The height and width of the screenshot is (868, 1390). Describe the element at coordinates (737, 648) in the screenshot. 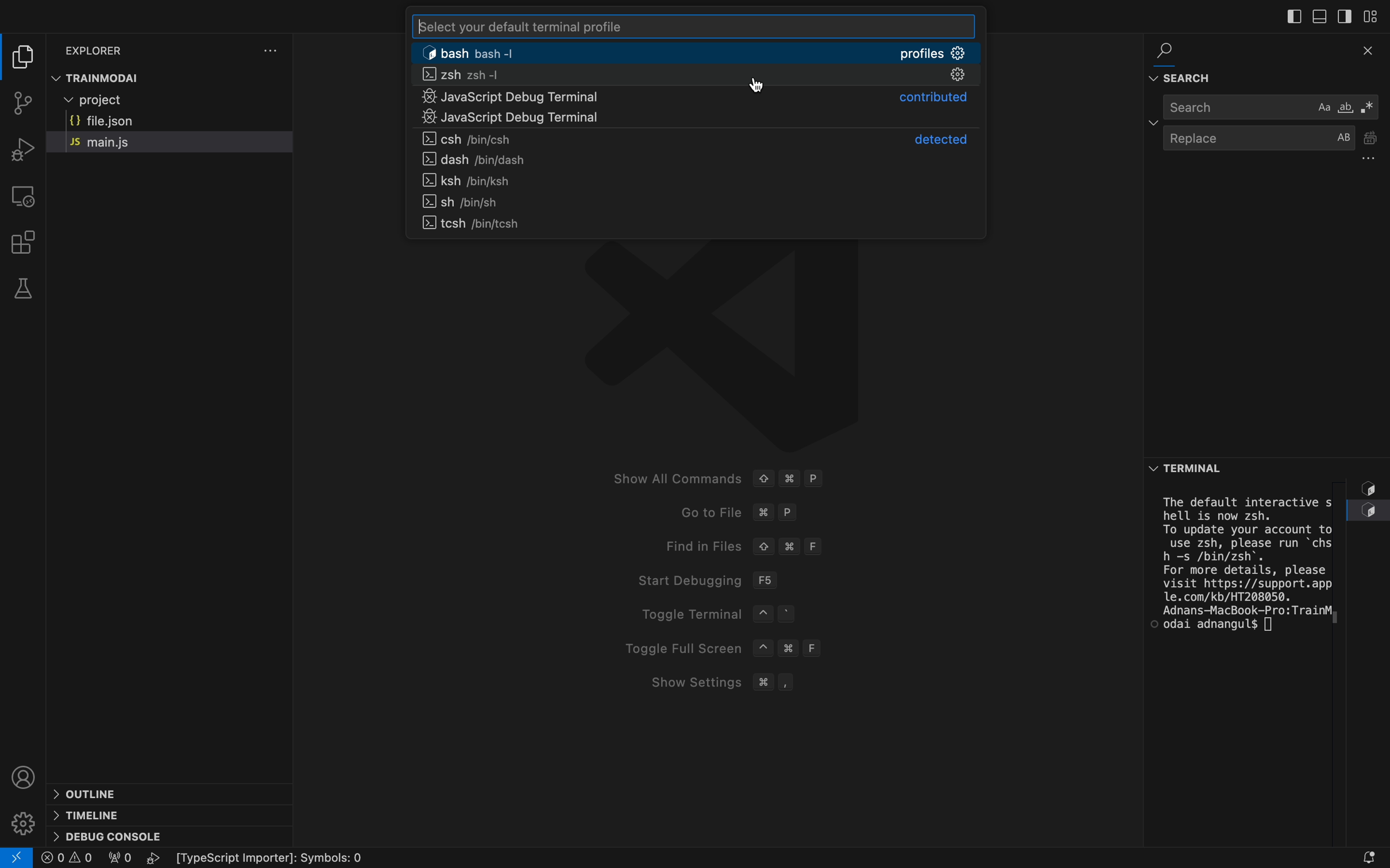

I see `Toggle full Screen` at that location.